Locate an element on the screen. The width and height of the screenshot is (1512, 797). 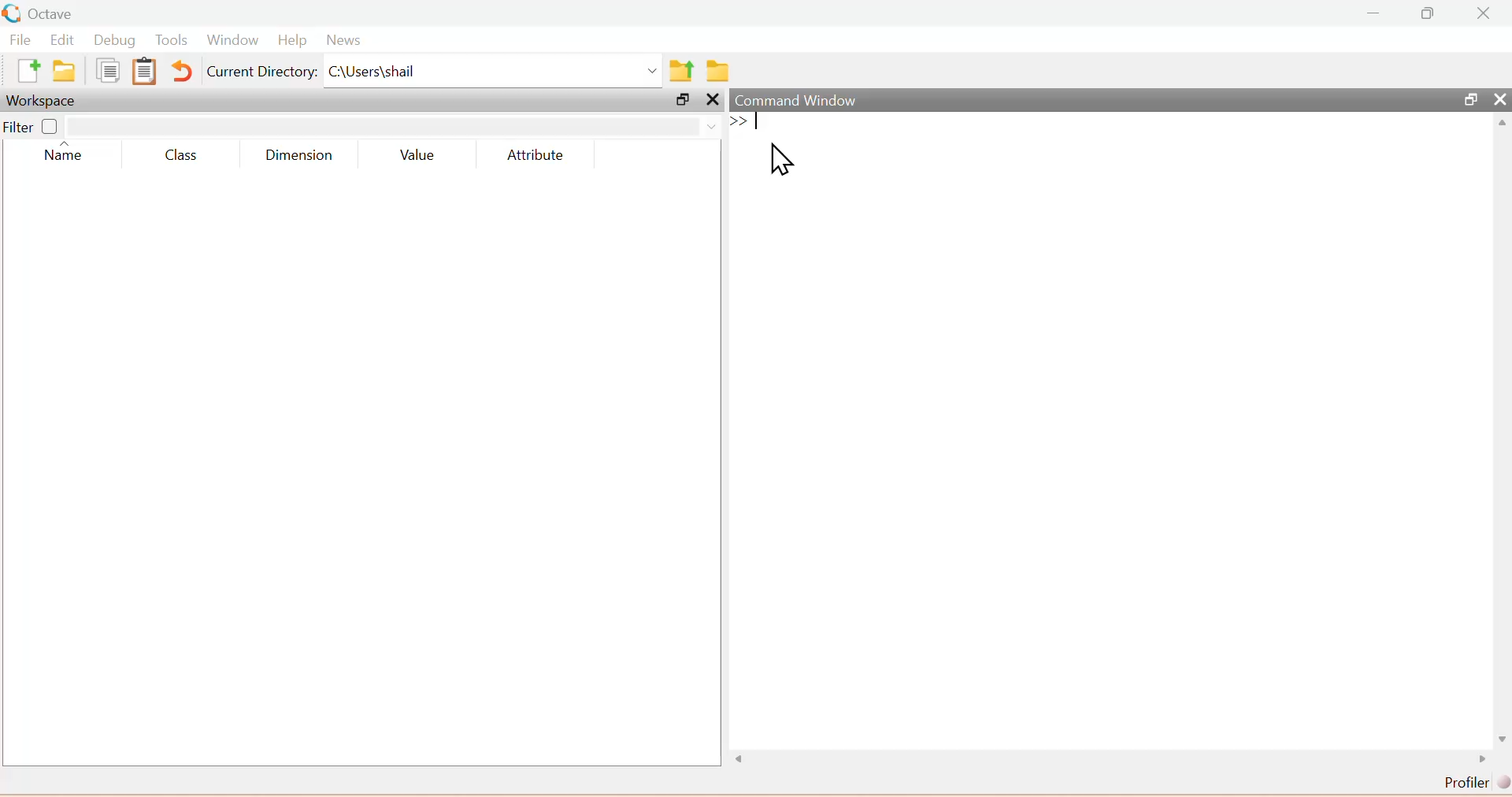
 is located at coordinates (746, 759).